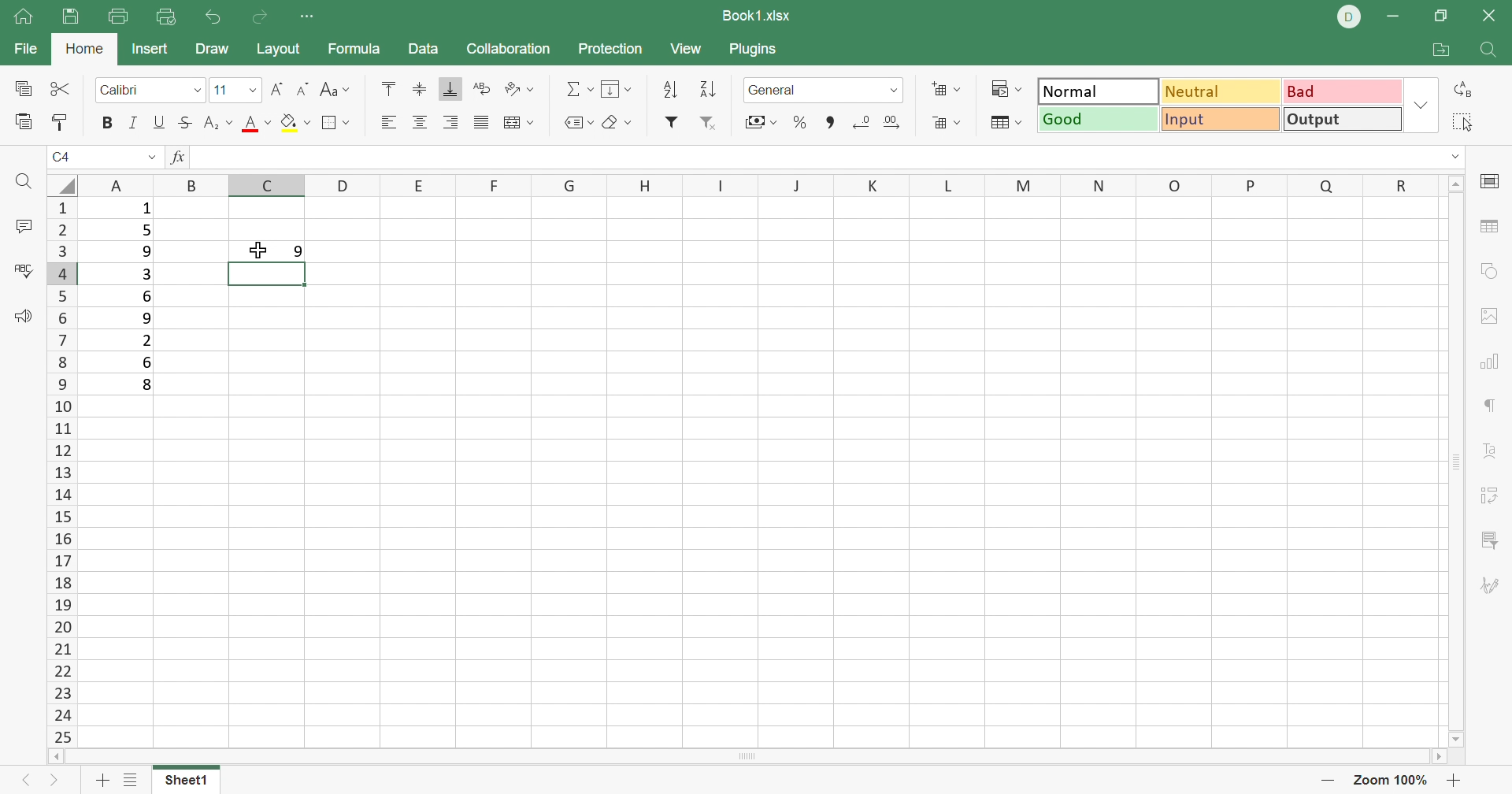  I want to click on Select all, so click(1462, 121).